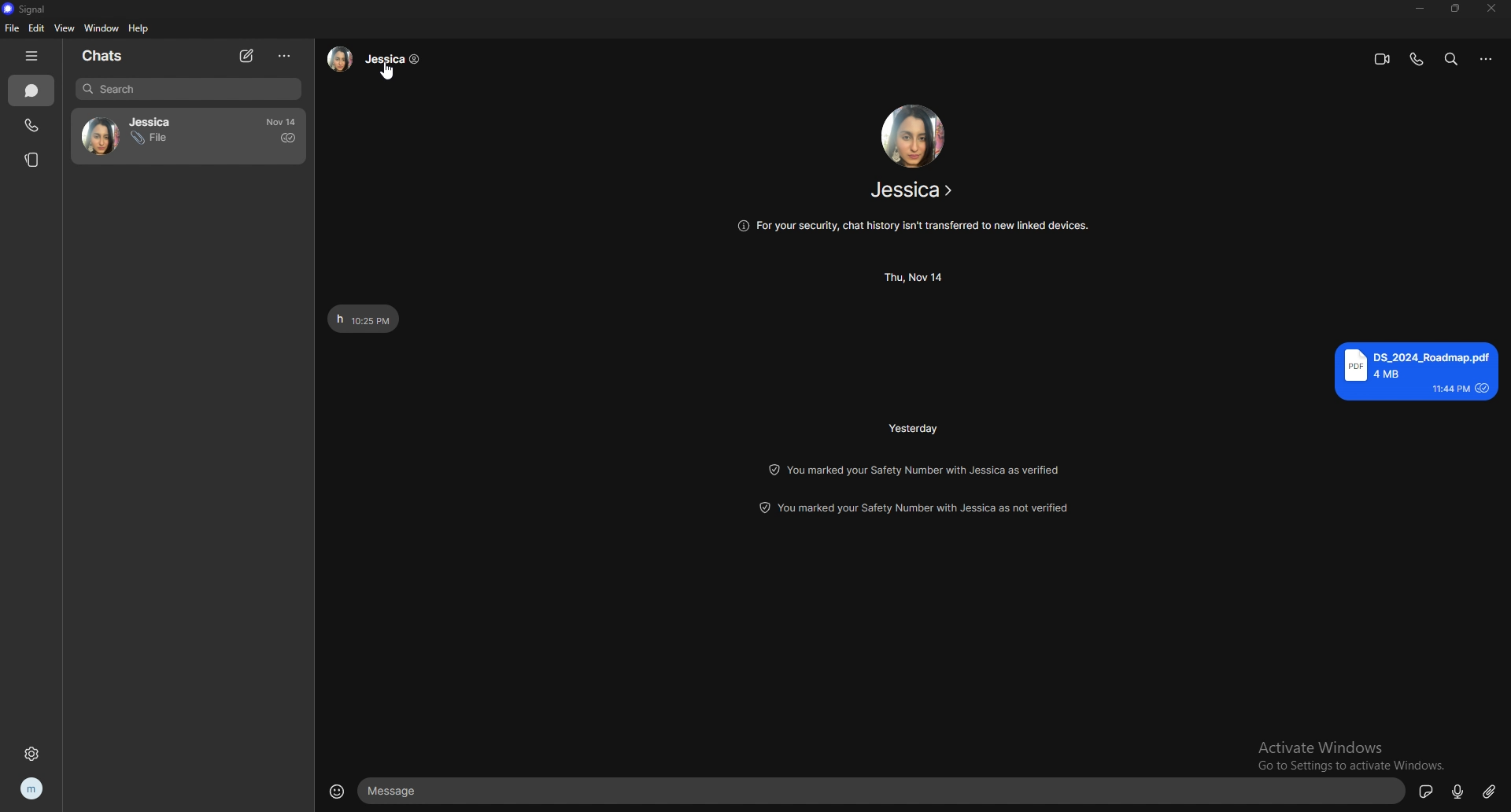 The width and height of the screenshot is (1511, 812). Describe the element at coordinates (136, 134) in the screenshot. I see `contact` at that location.